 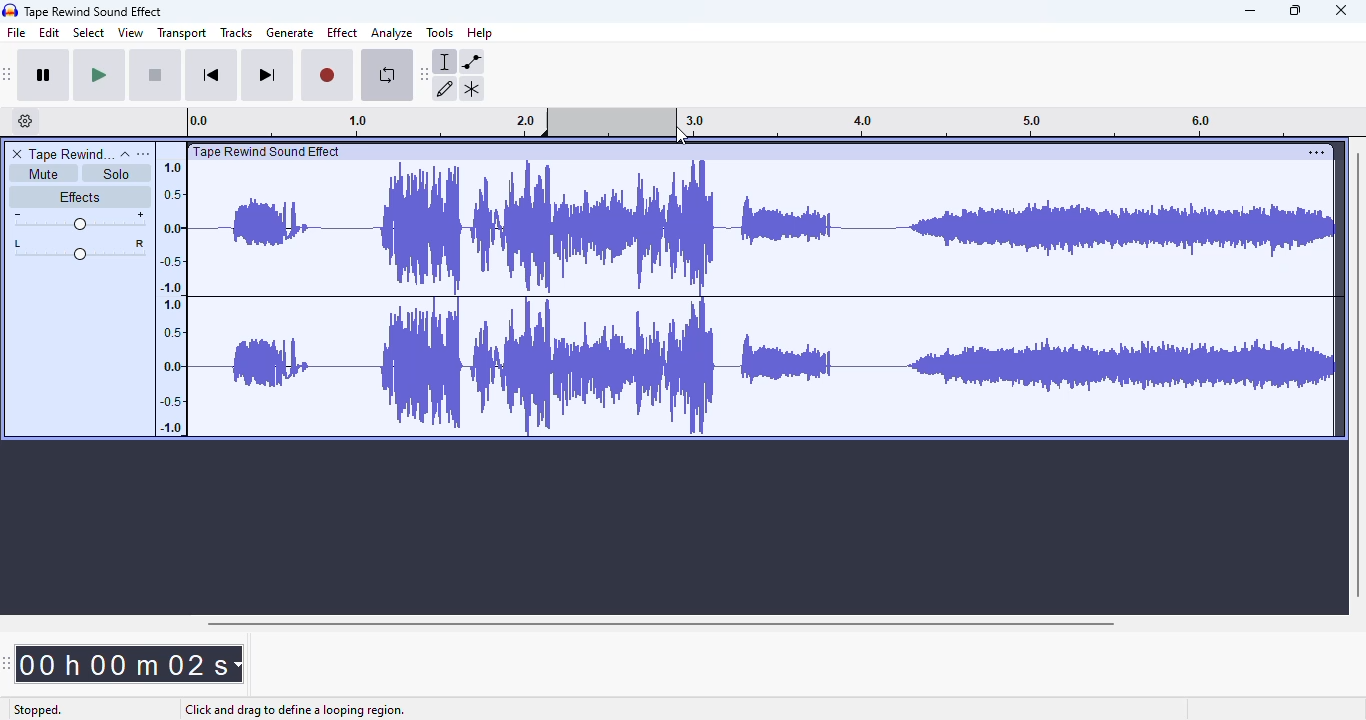 What do you see at coordinates (10, 9) in the screenshot?
I see `logo` at bounding box center [10, 9].